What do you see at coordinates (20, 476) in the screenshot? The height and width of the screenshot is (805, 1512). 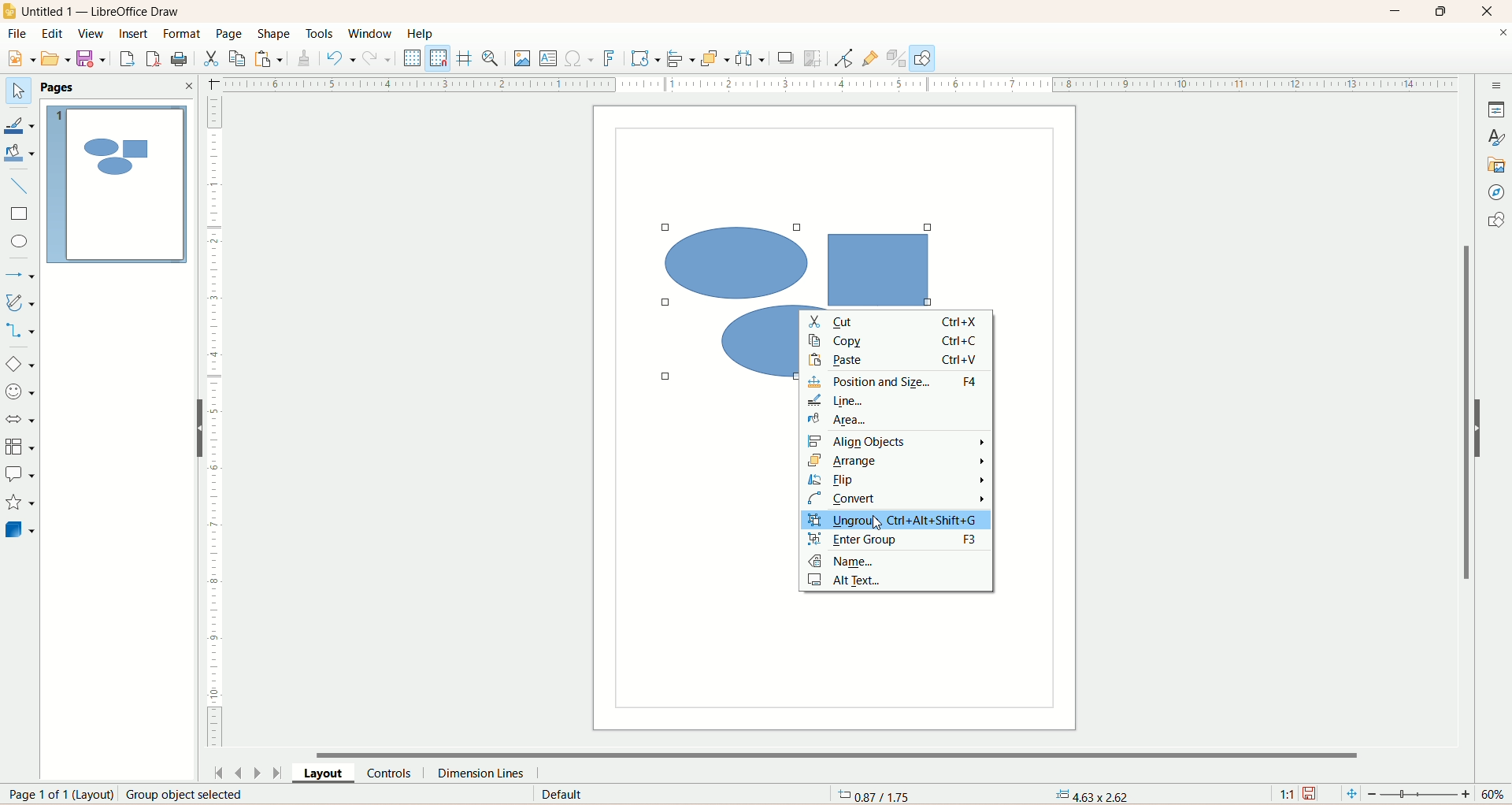 I see `callout shapes` at bounding box center [20, 476].